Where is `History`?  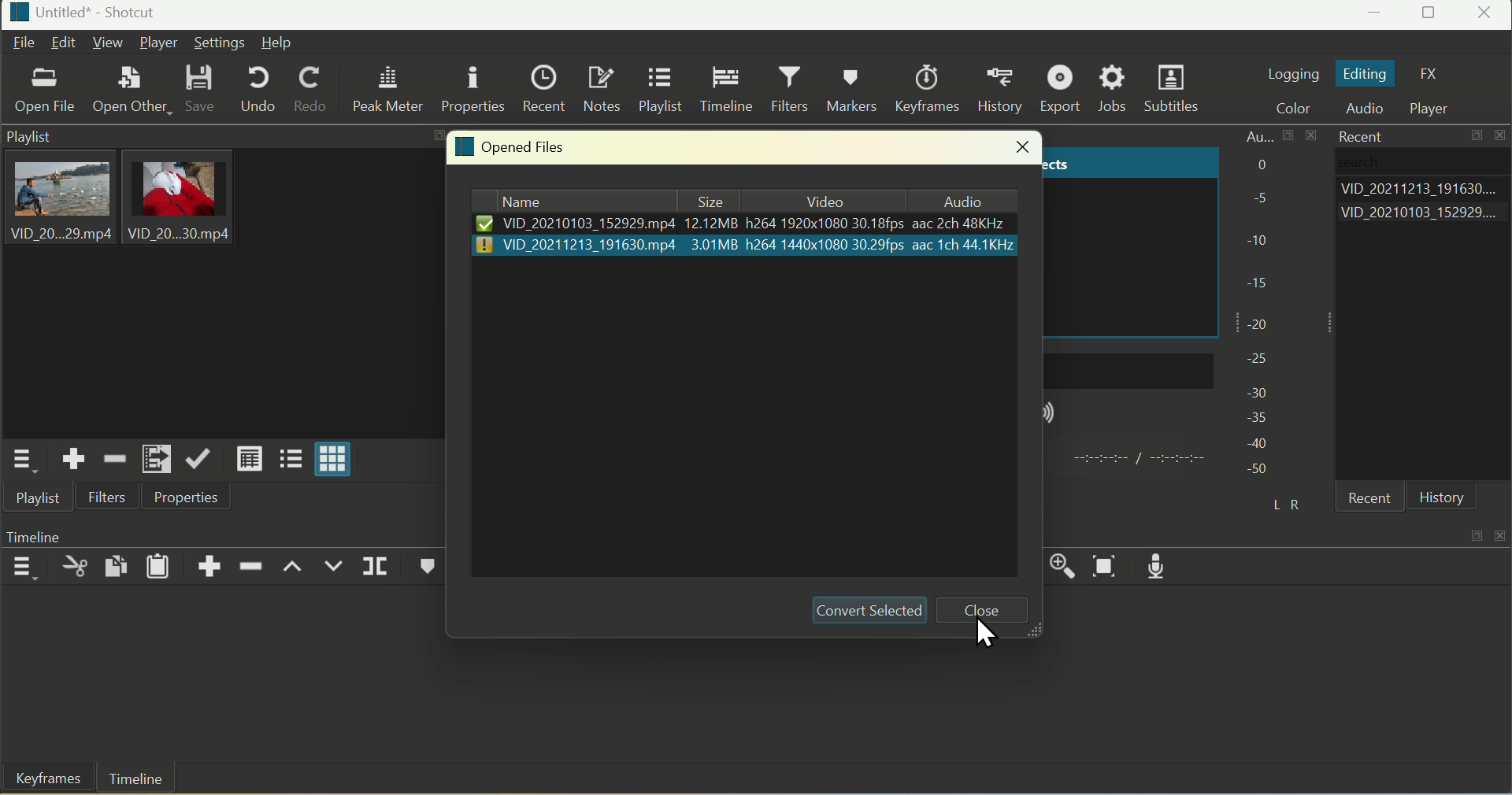 History is located at coordinates (1442, 497).